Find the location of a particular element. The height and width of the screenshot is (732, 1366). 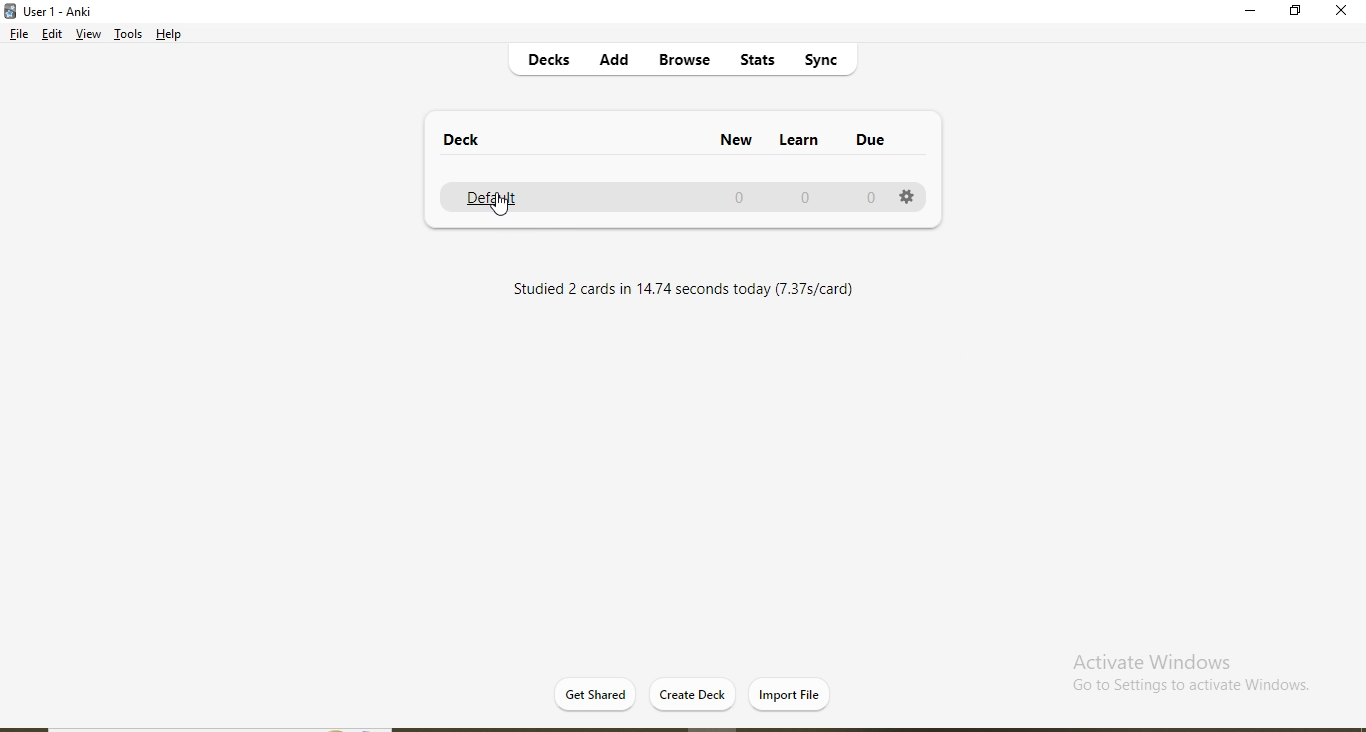

view is located at coordinates (88, 36).